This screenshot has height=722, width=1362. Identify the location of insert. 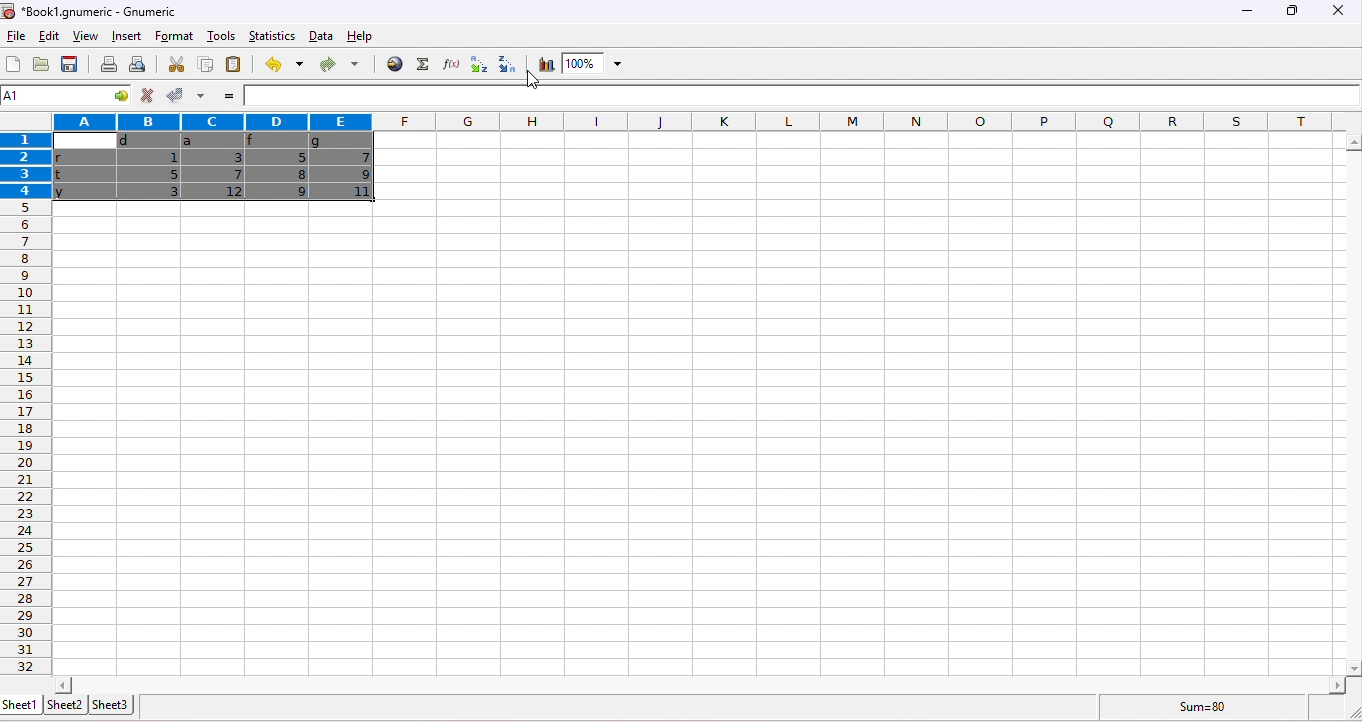
(125, 36).